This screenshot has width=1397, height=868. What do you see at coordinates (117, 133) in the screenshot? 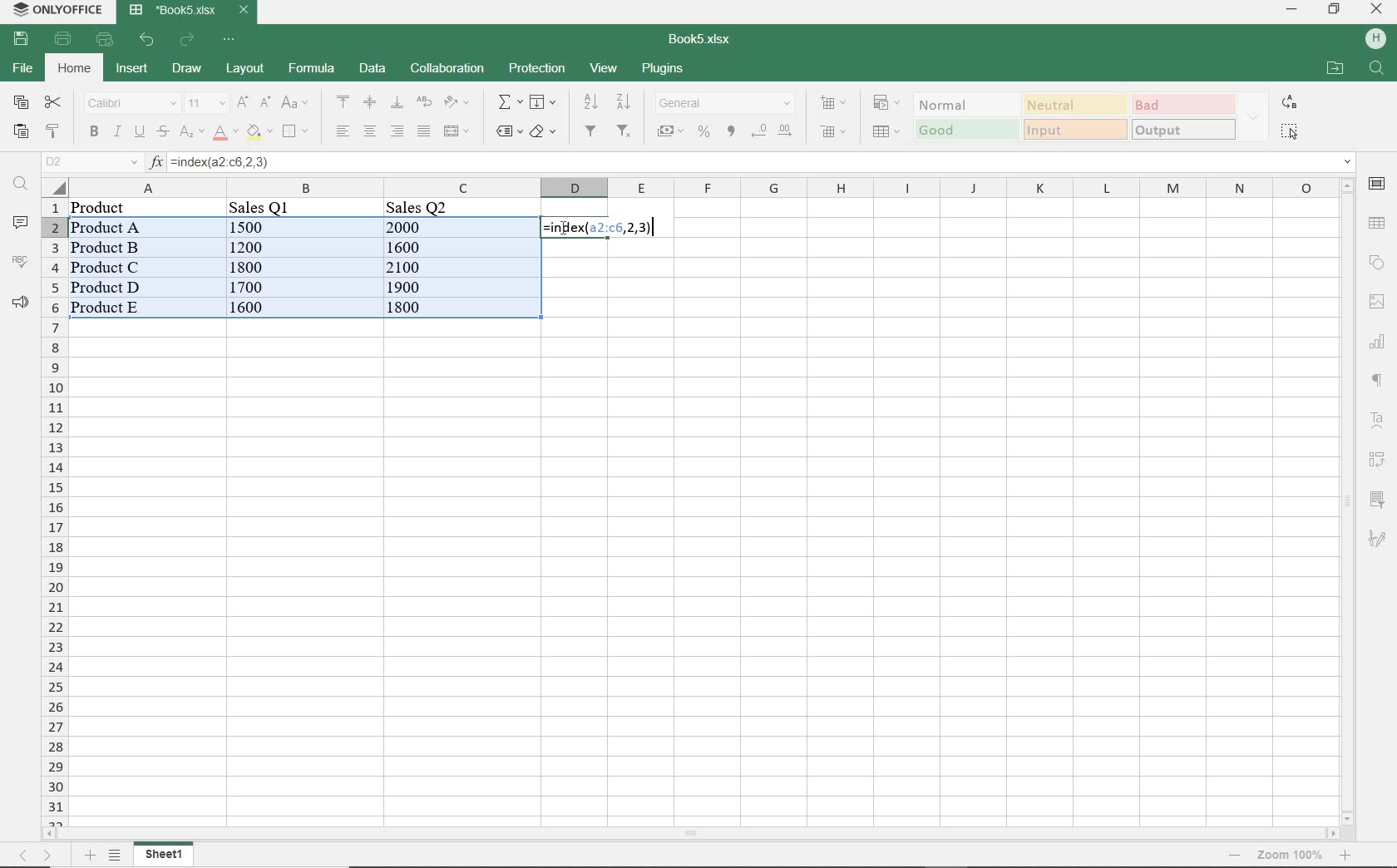
I see `italic` at bounding box center [117, 133].